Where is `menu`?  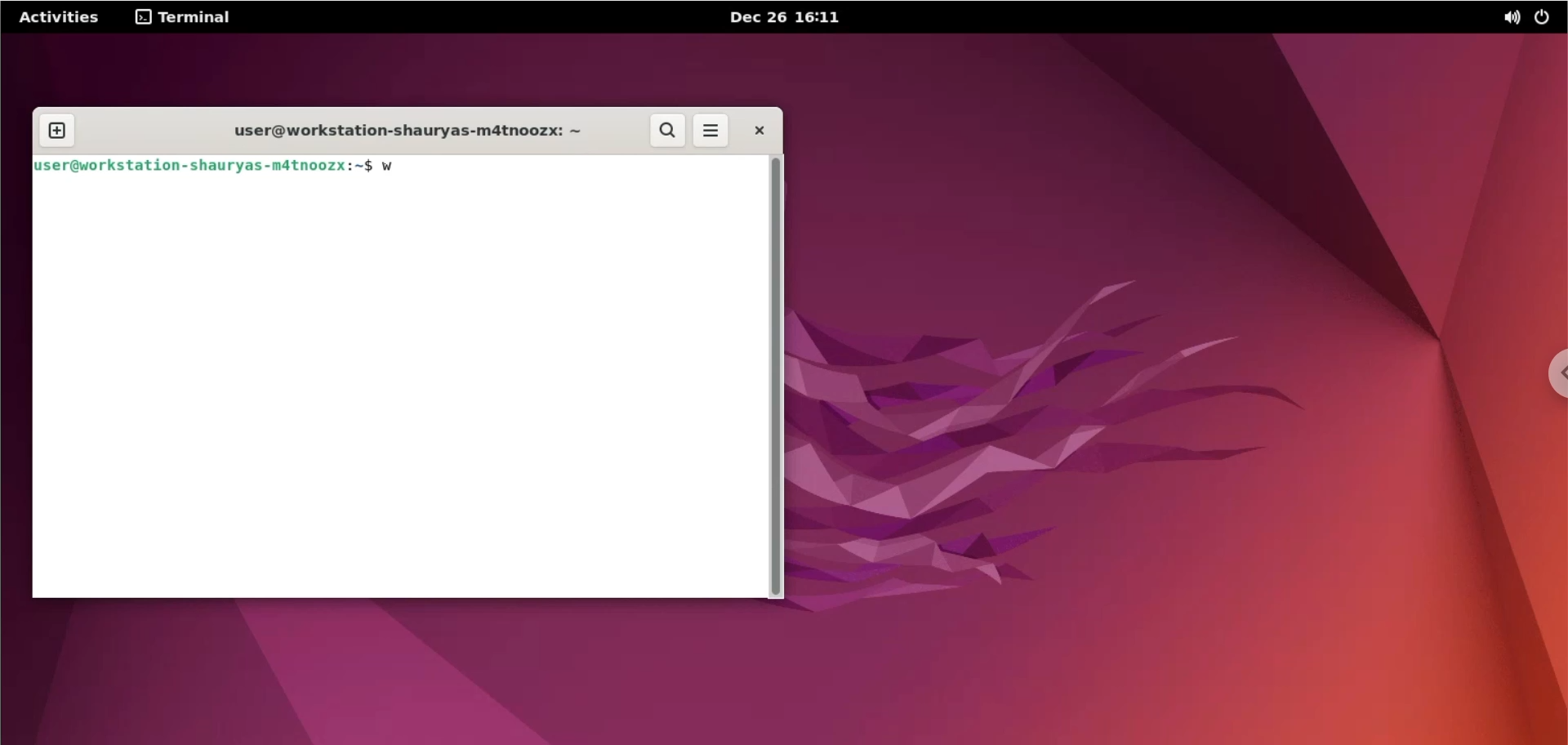 menu is located at coordinates (710, 131).